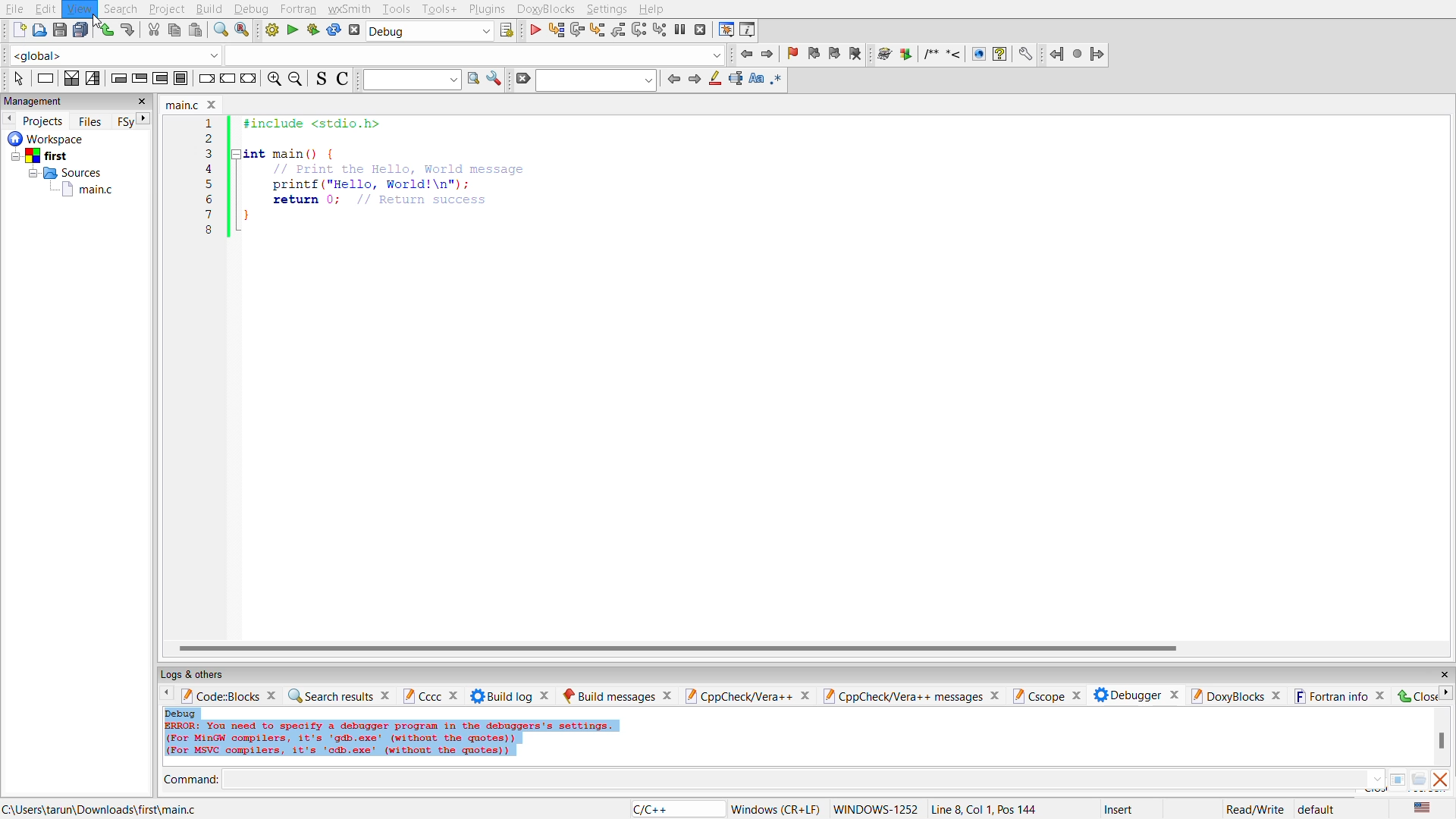 This screenshot has height=819, width=1456. What do you see at coordinates (93, 80) in the screenshot?
I see `selection` at bounding box center [93, 80].